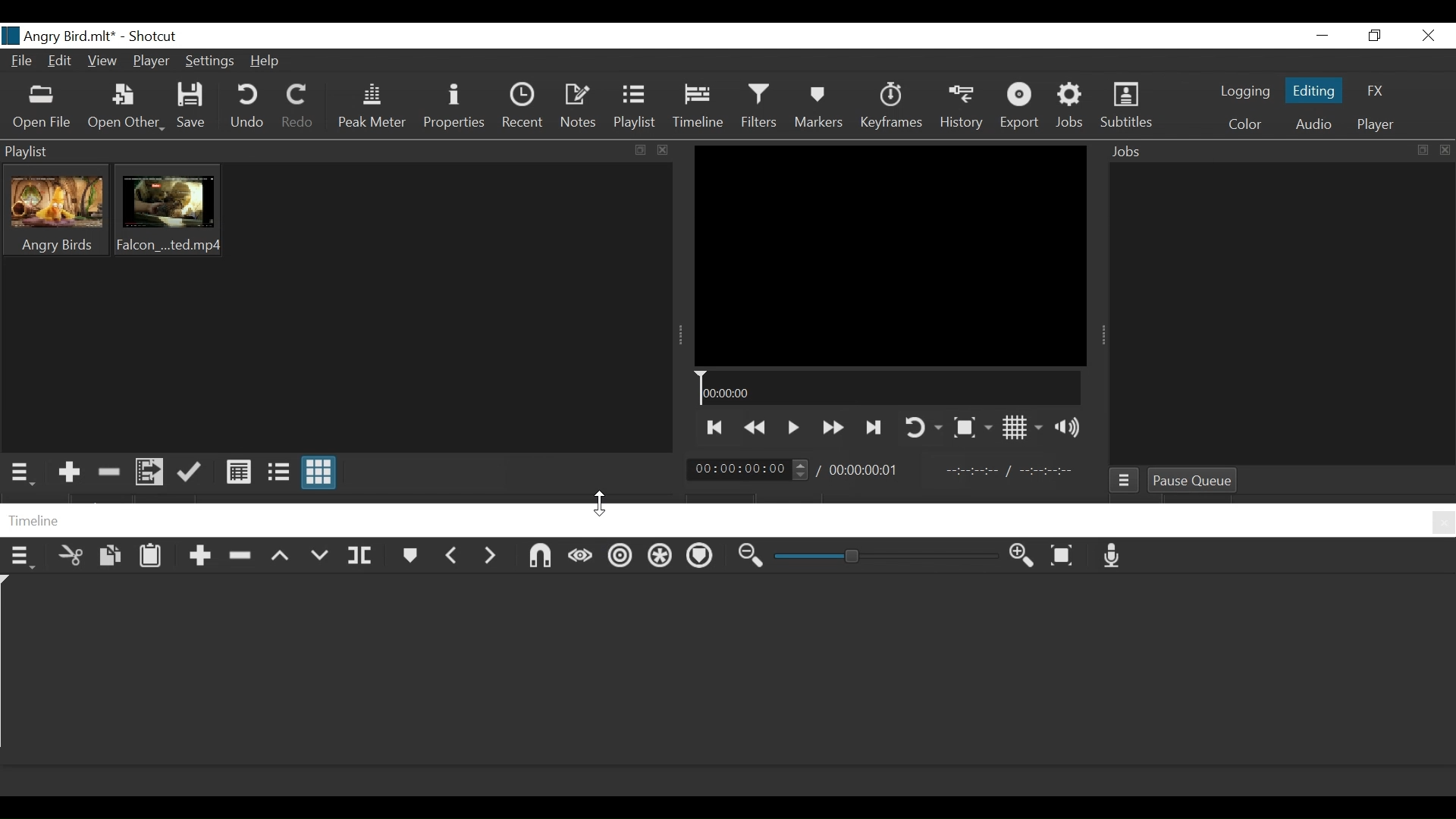 Image resolution: width=1456 pixels, height=819 pixels. Describe the element at coordinates (279, 472) in the screenshot. I see `View as File` at that location.